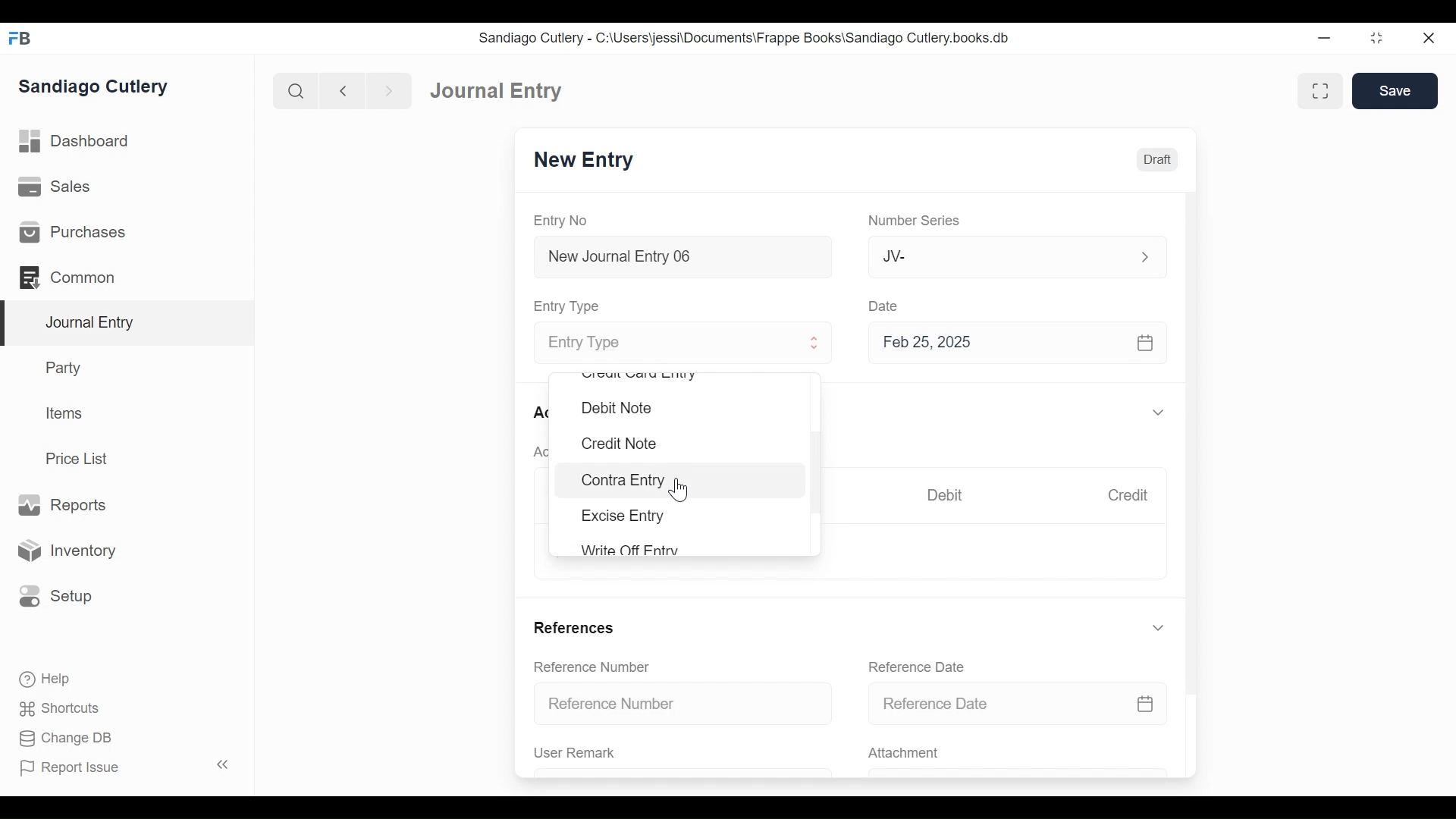 This screenshot has width=1456, height=819. What do you see at coordinates (573, 627) in the screenshot?
I see `References` at bounding box center [573, 627].